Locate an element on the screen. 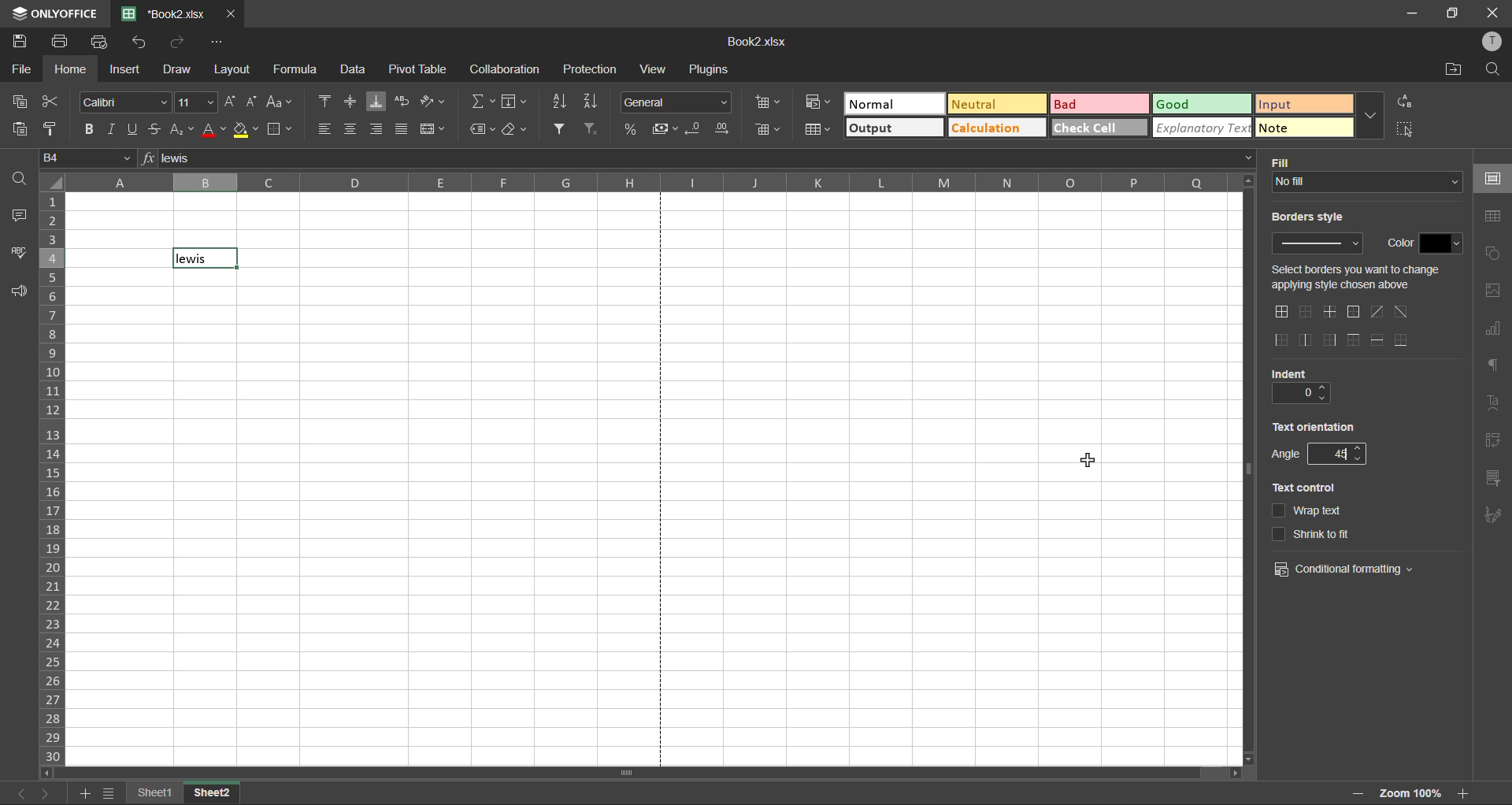  only middle border horizontal is located at coordinates (1328, 312).